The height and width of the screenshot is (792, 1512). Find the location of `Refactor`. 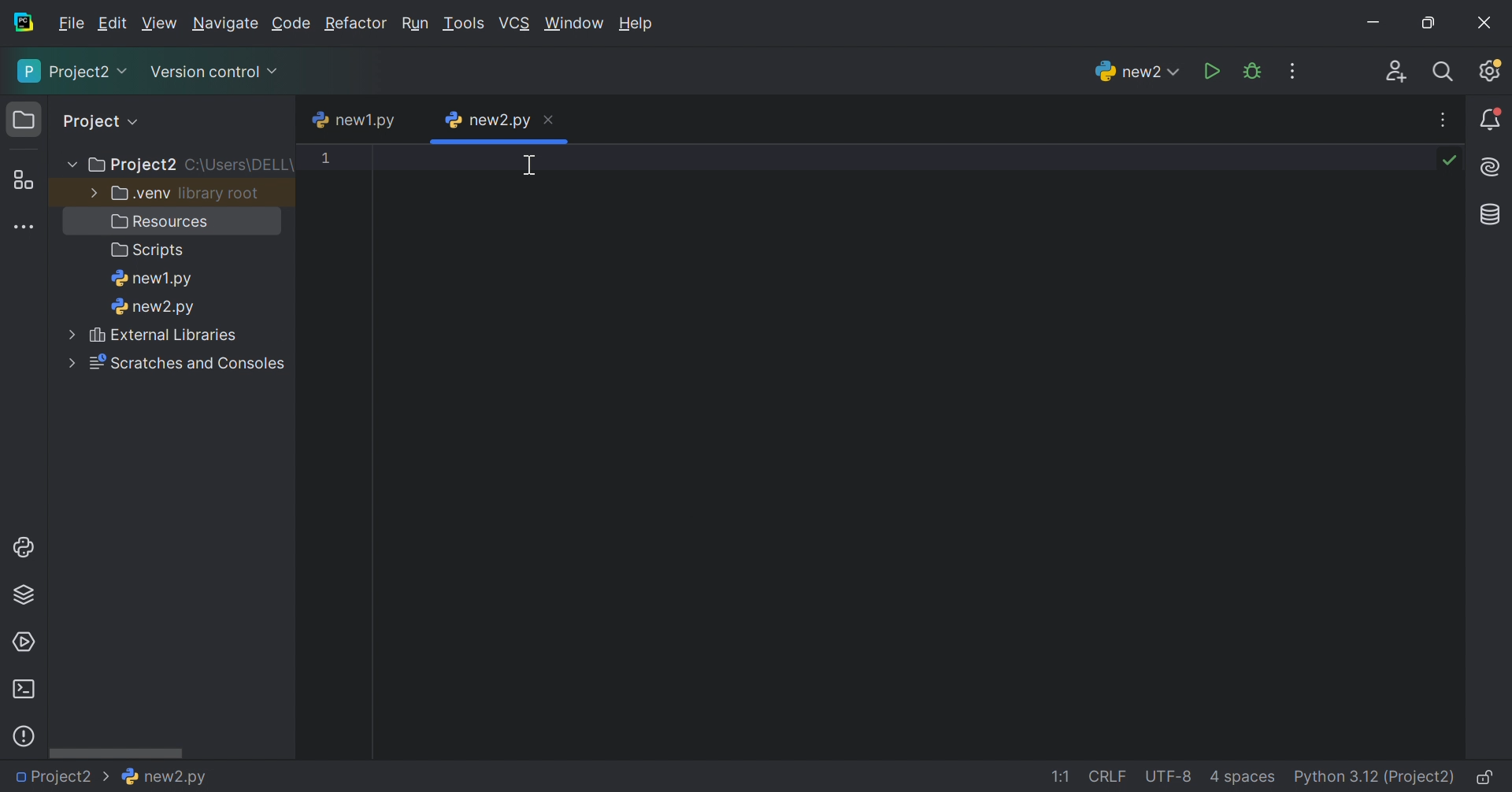

Refactor is located at coordinates (359, 23).